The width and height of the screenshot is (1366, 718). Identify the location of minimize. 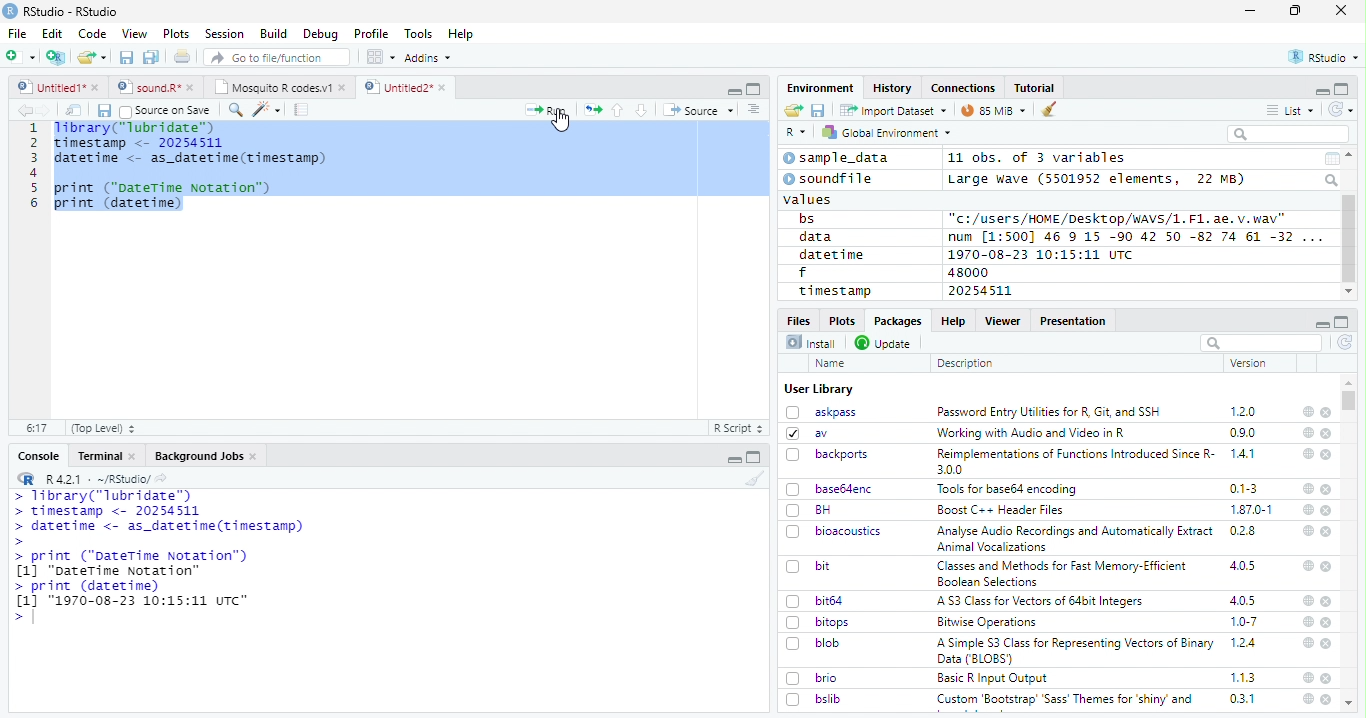
(1321, 90).